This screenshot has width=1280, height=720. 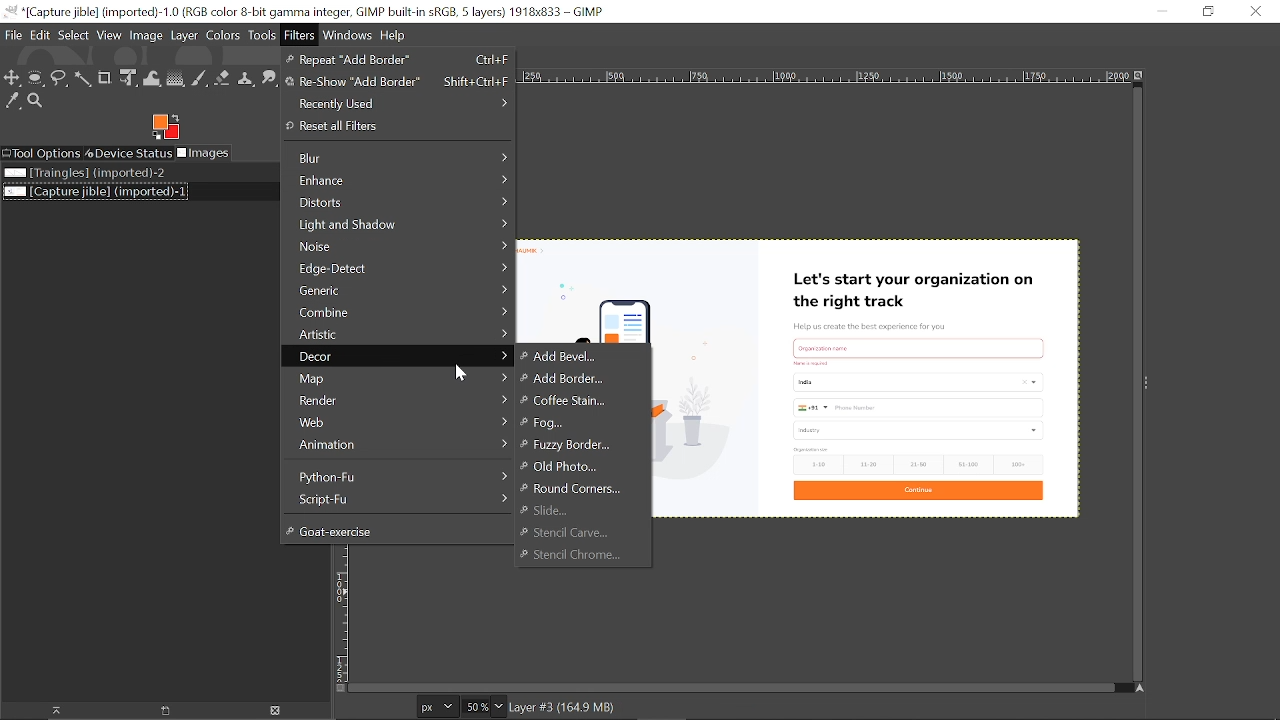 I want to click on Current image units, so click(x=438, y=707).